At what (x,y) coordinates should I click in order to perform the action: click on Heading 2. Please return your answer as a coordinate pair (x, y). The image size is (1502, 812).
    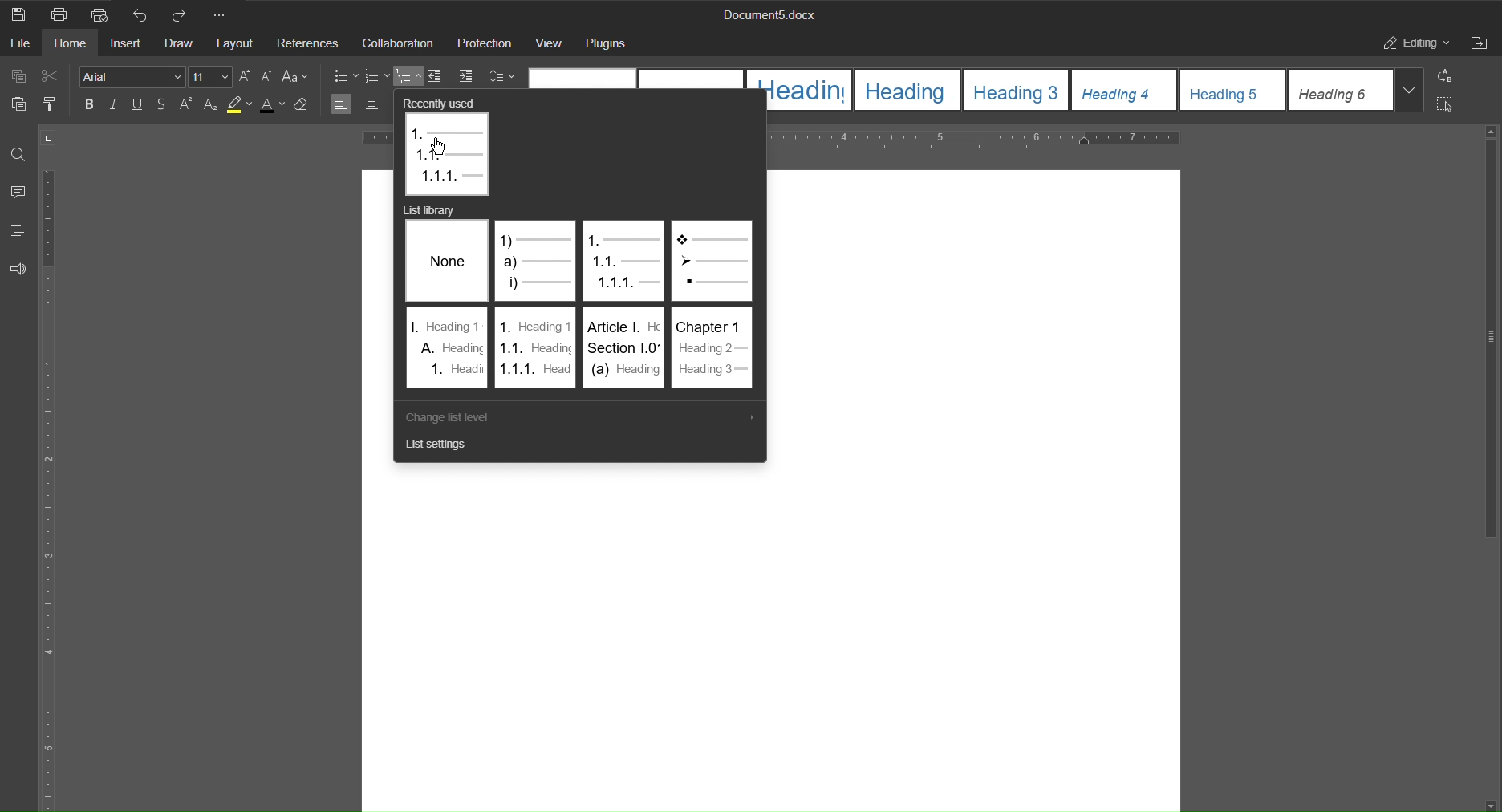
    Looking at the image, I should click on (910, 91).